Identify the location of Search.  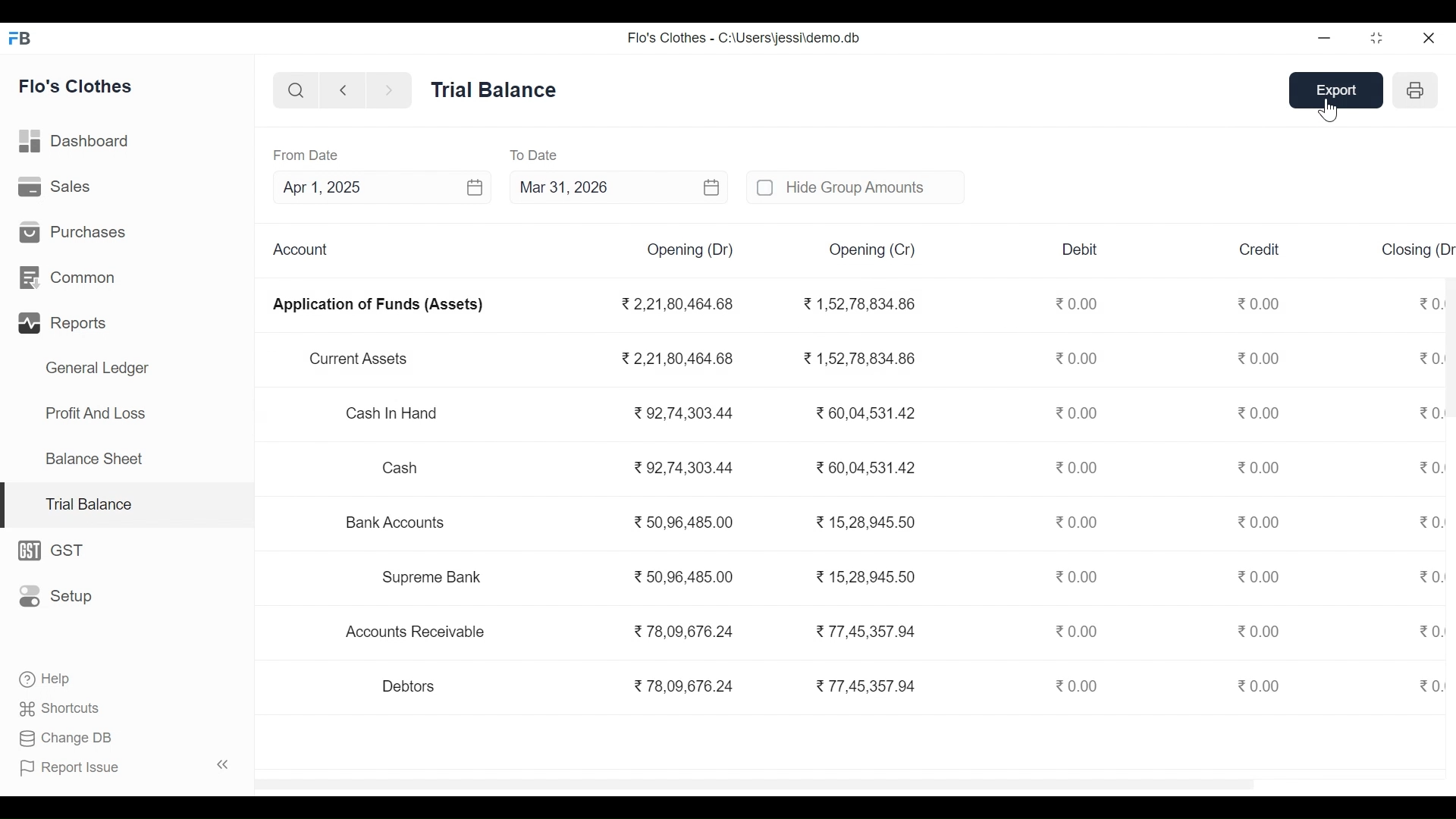
(293, 89).